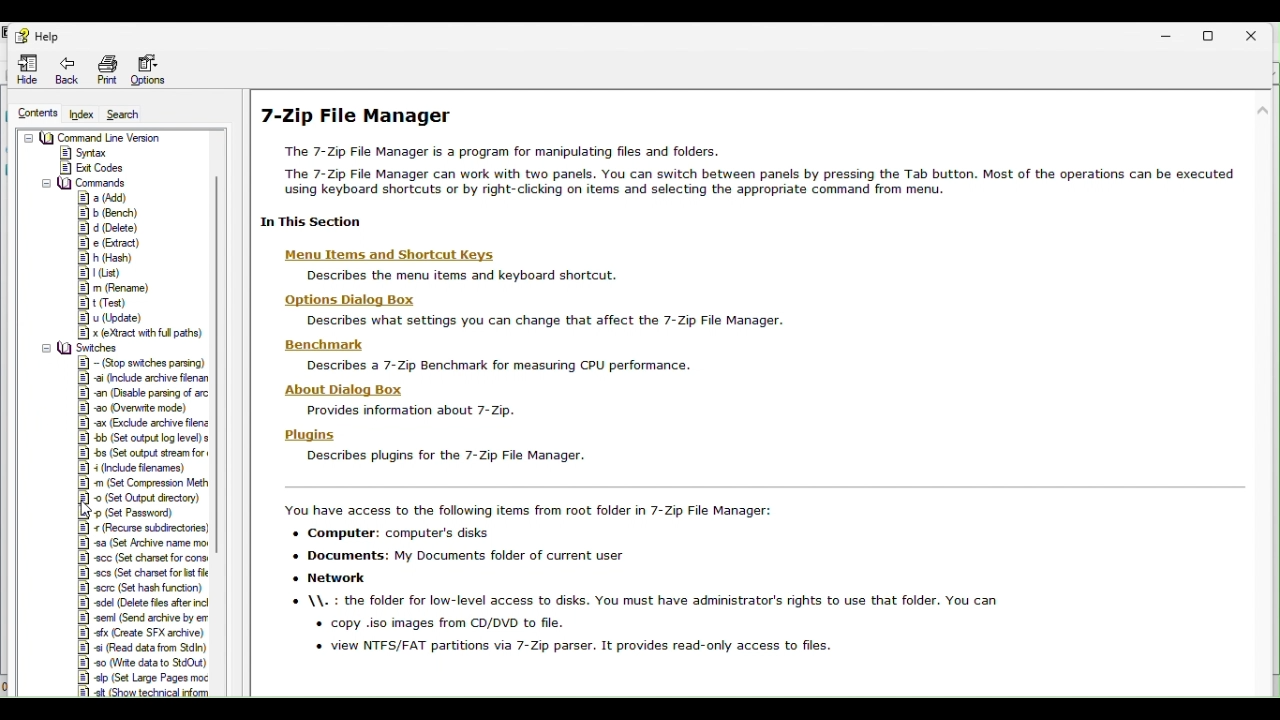 This screenshot has width=1280, height=720. Describe the element at coordinates (351, 300) in the screenshot. I see `options dialog box` at that location.